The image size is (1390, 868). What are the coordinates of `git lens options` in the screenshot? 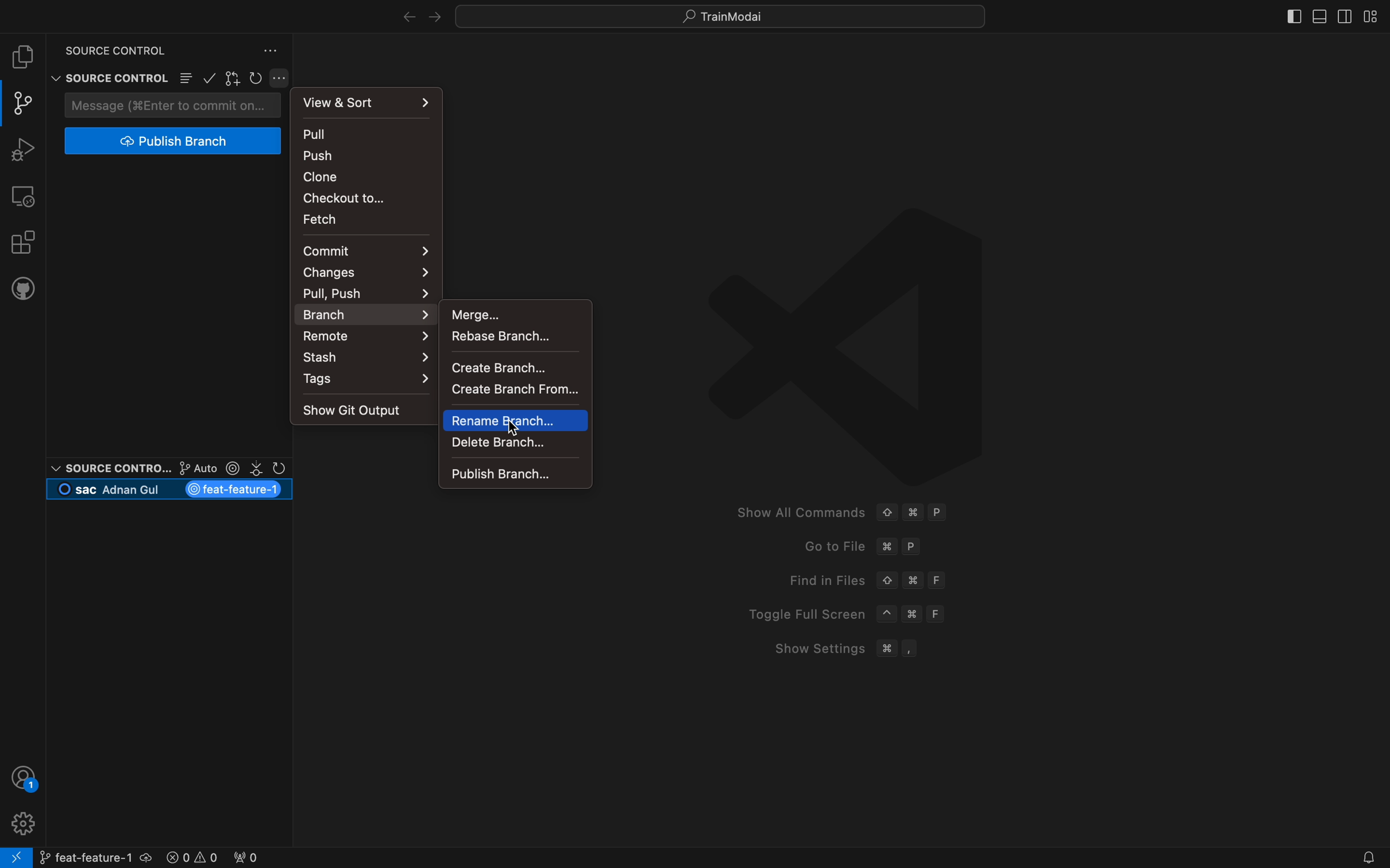 It's located at (229, 468).